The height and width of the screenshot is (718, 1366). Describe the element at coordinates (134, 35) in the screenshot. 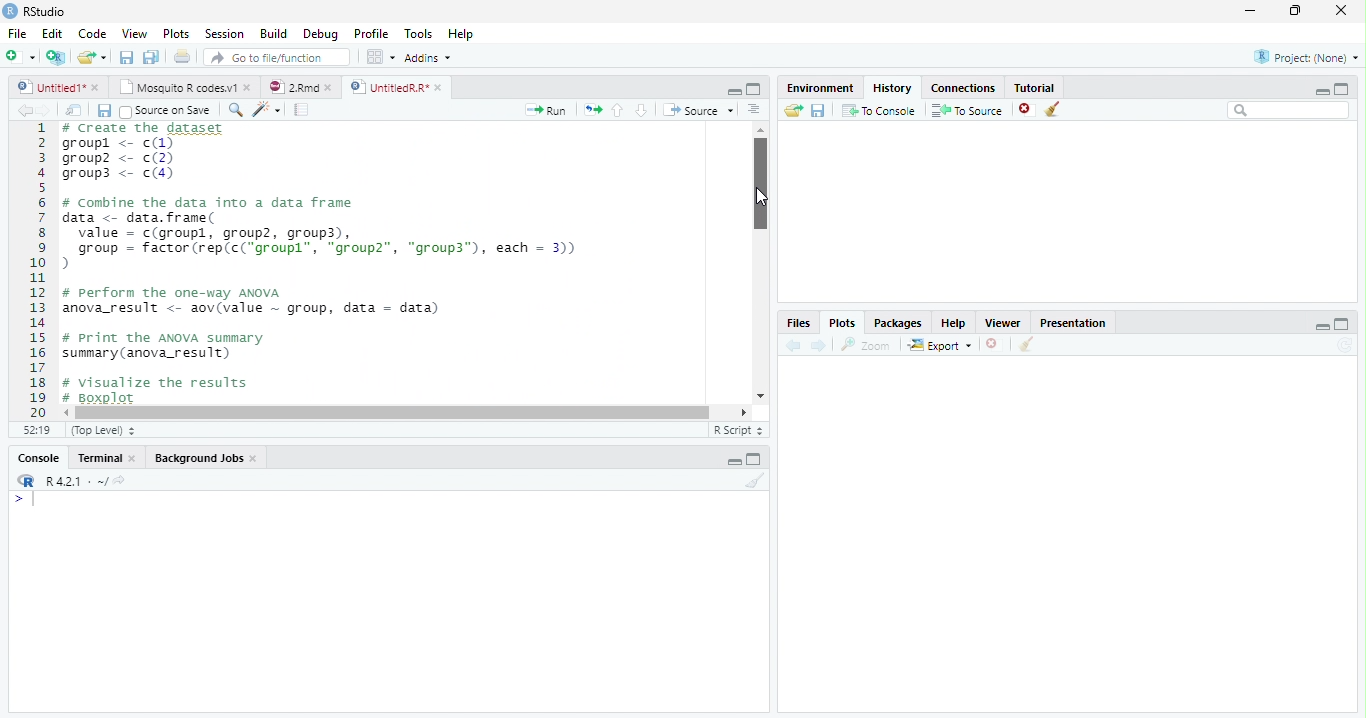

I see `View` at that location.